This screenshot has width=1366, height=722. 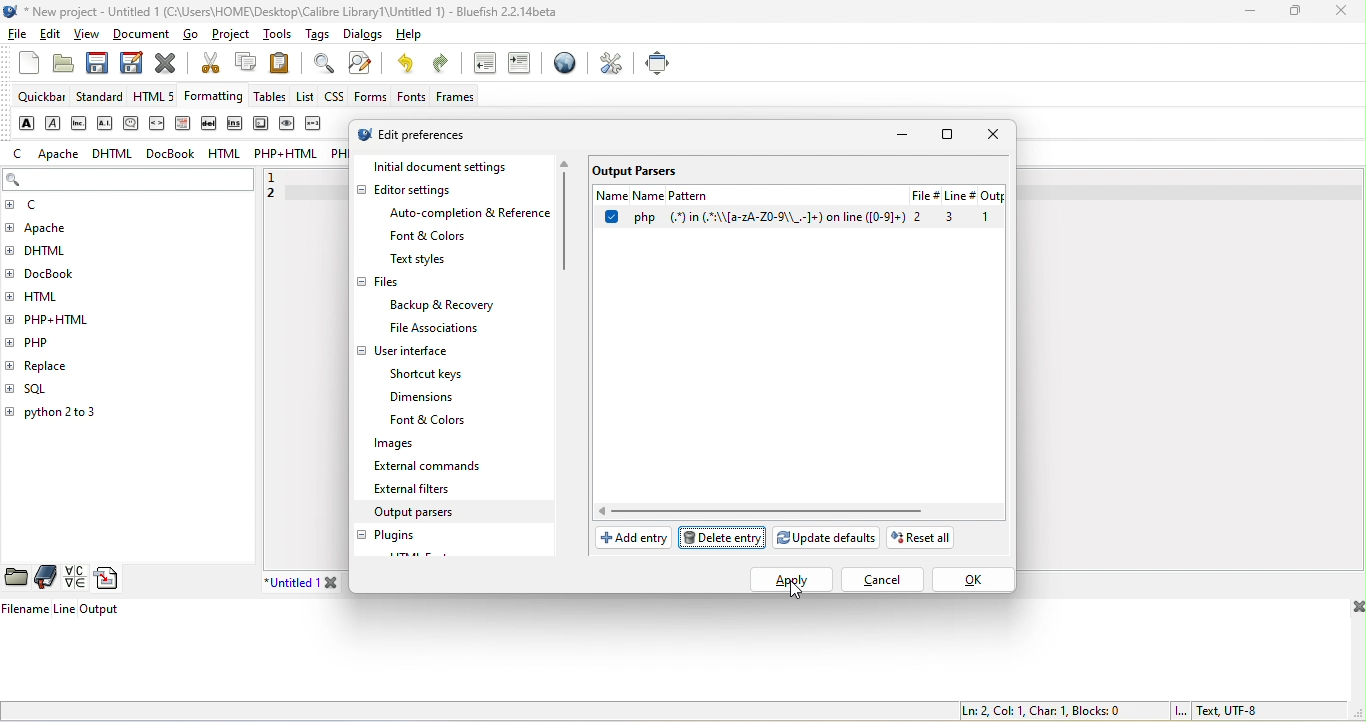 I want to click on file browser, so click(x=17, y=578).